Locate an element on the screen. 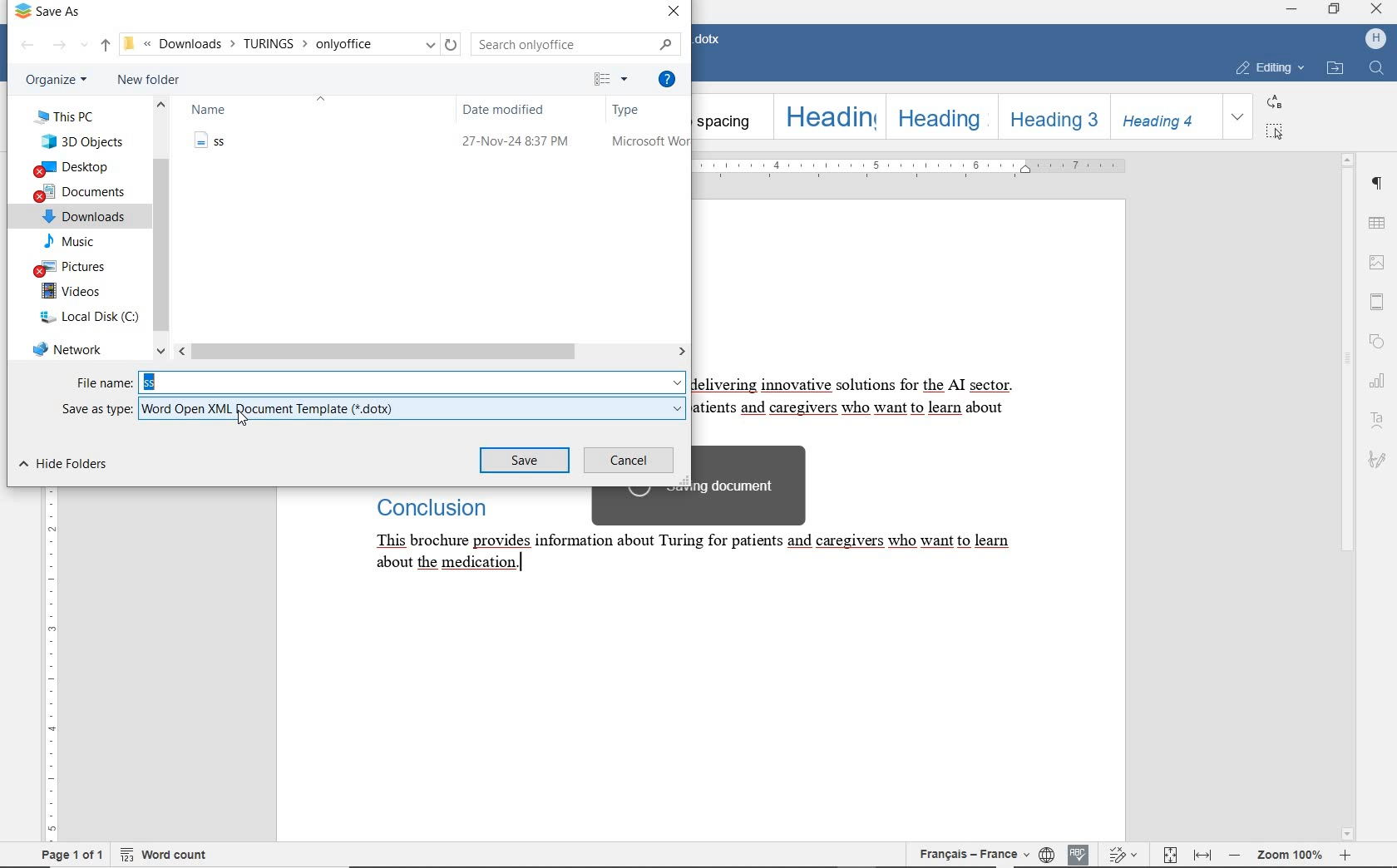 The image size is (1397, 868). PICTURES is located at coordinates (76, 267).